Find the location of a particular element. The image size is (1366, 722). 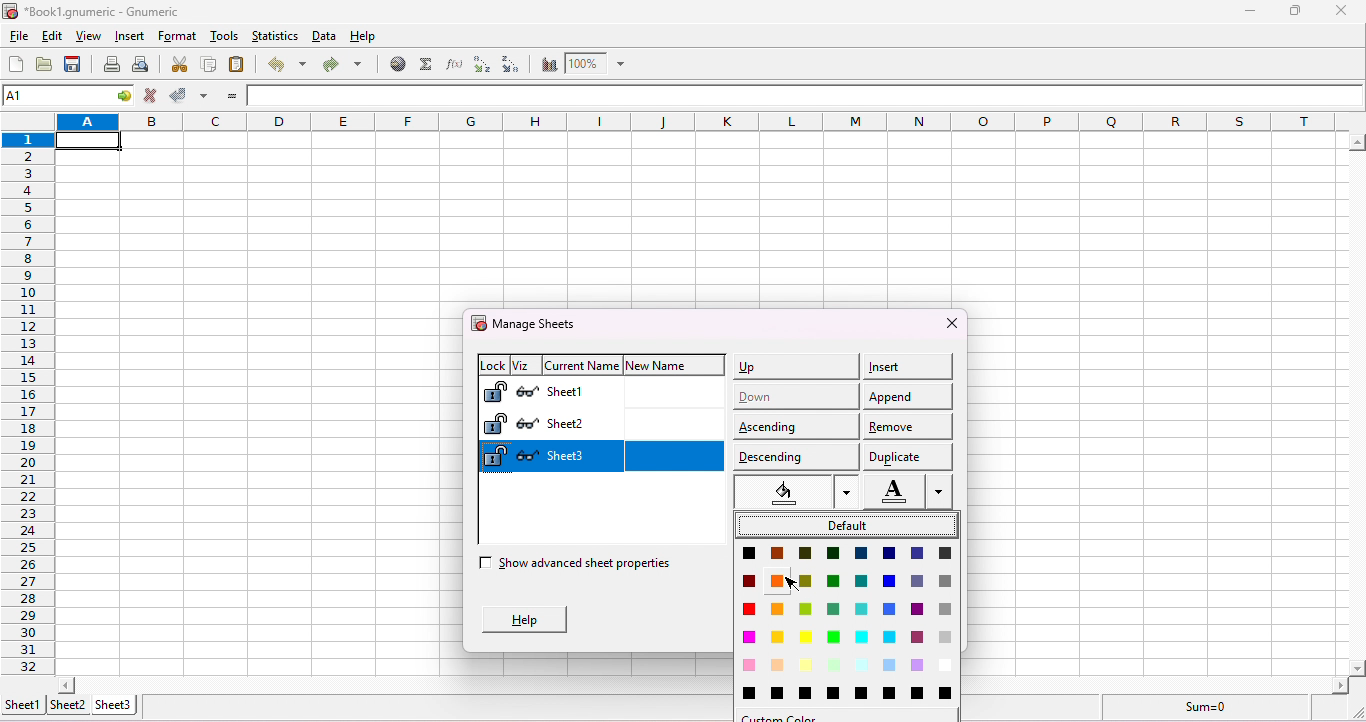

create a new workbook is located at coordinates (15, 64).